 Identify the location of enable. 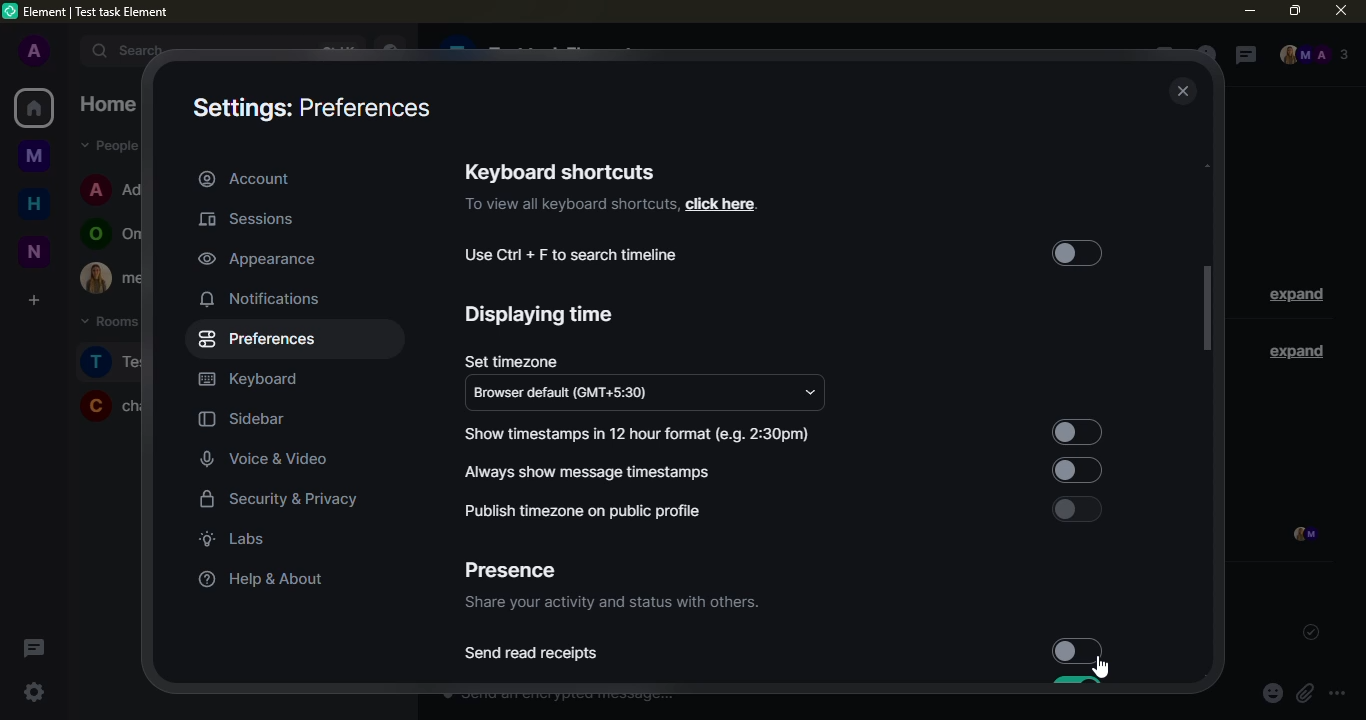
(1077, 255).